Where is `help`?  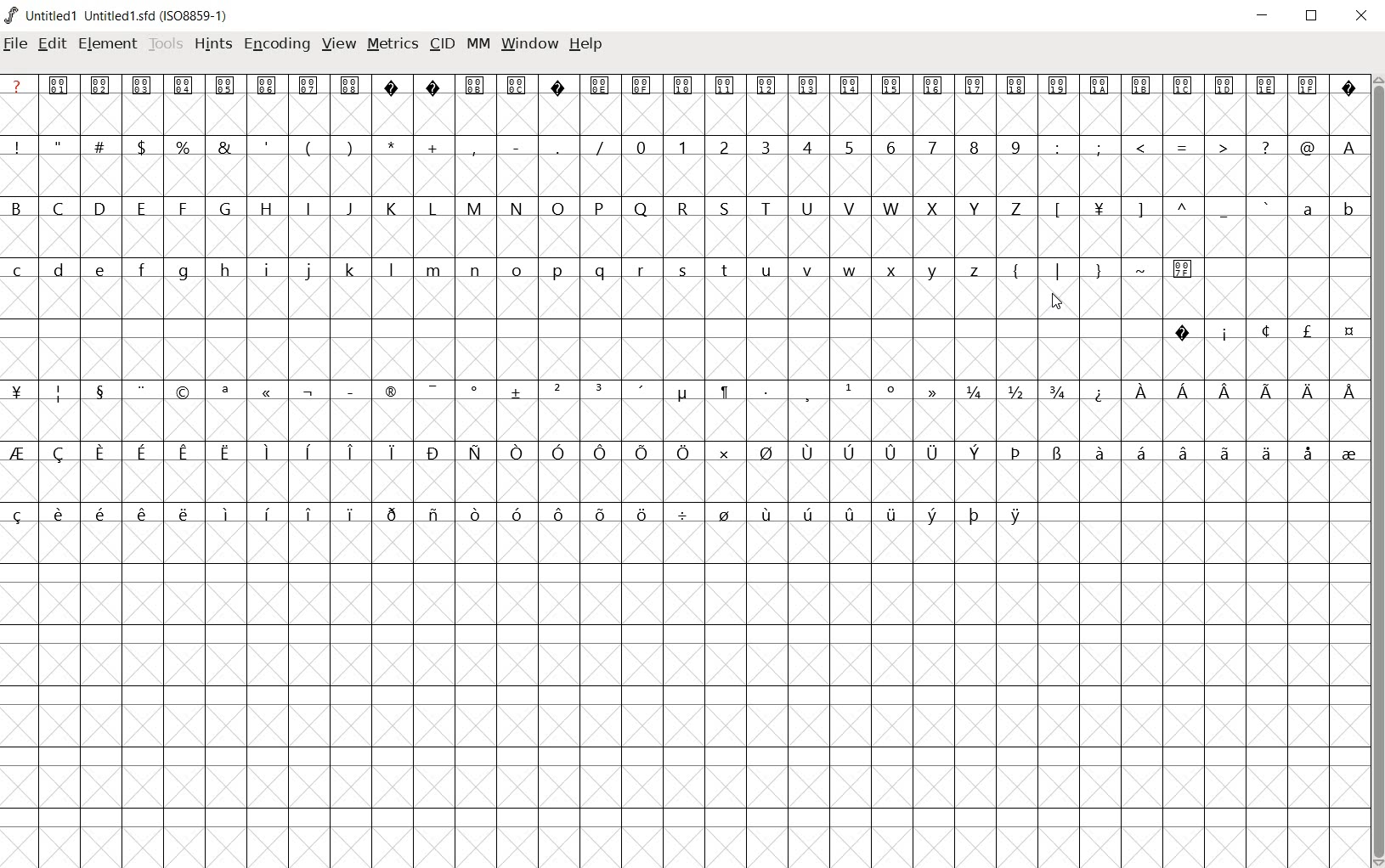
help is located at coordinates (587, 45).